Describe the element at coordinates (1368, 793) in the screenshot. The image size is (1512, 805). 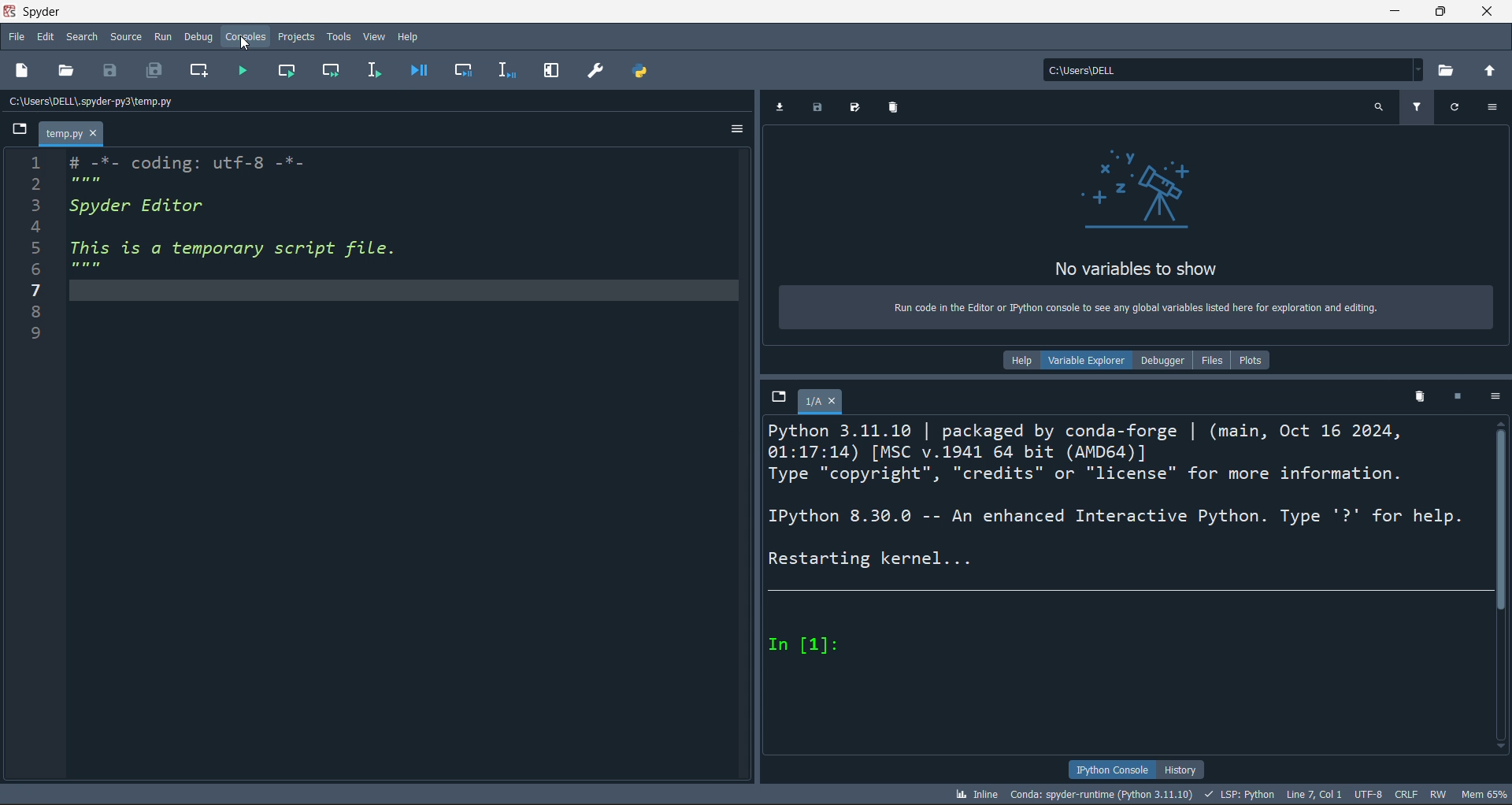
I see `UTF-8` at that location.